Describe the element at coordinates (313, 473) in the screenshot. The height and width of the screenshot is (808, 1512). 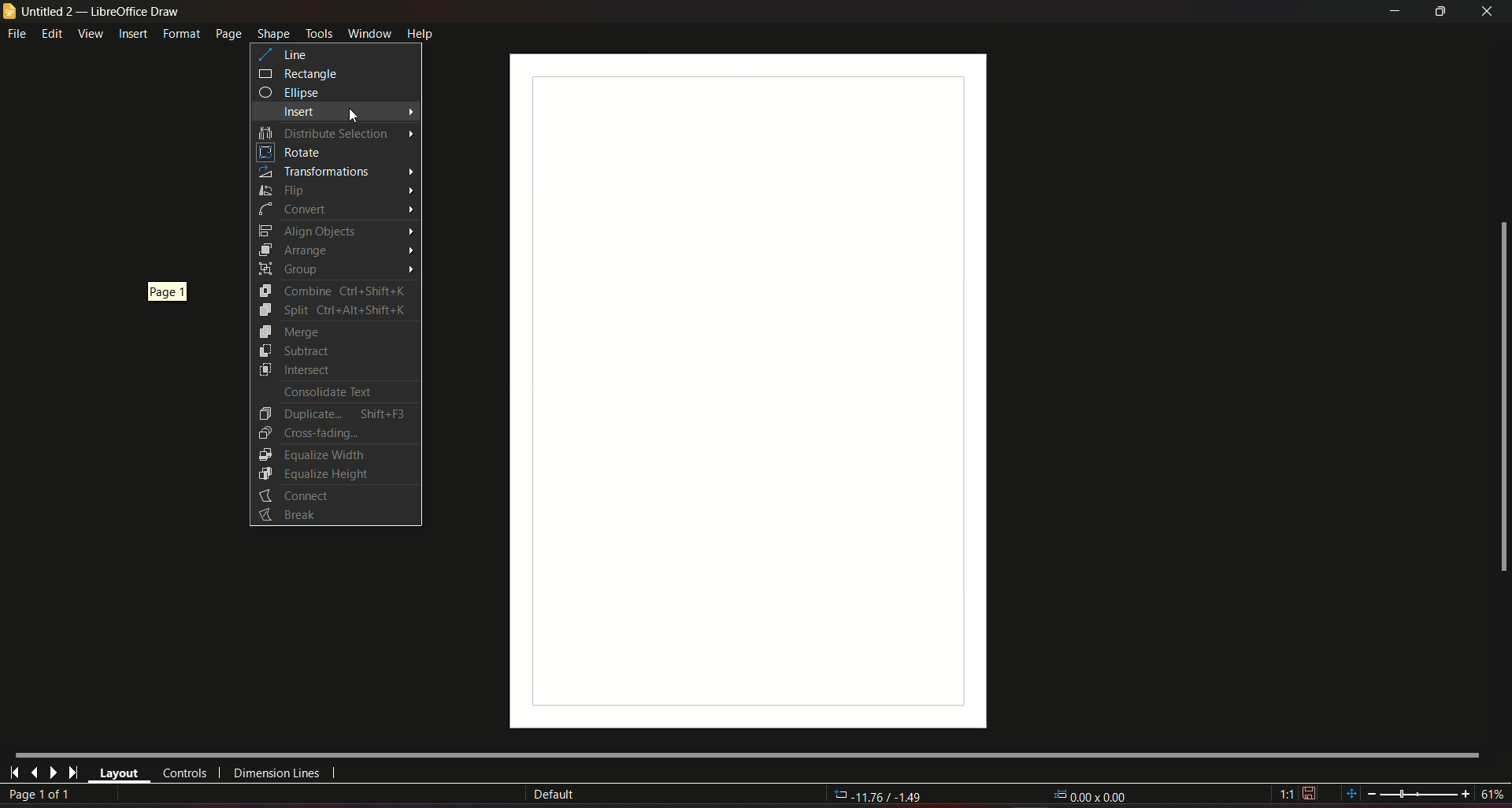
I see `Equalize Height` at that location.